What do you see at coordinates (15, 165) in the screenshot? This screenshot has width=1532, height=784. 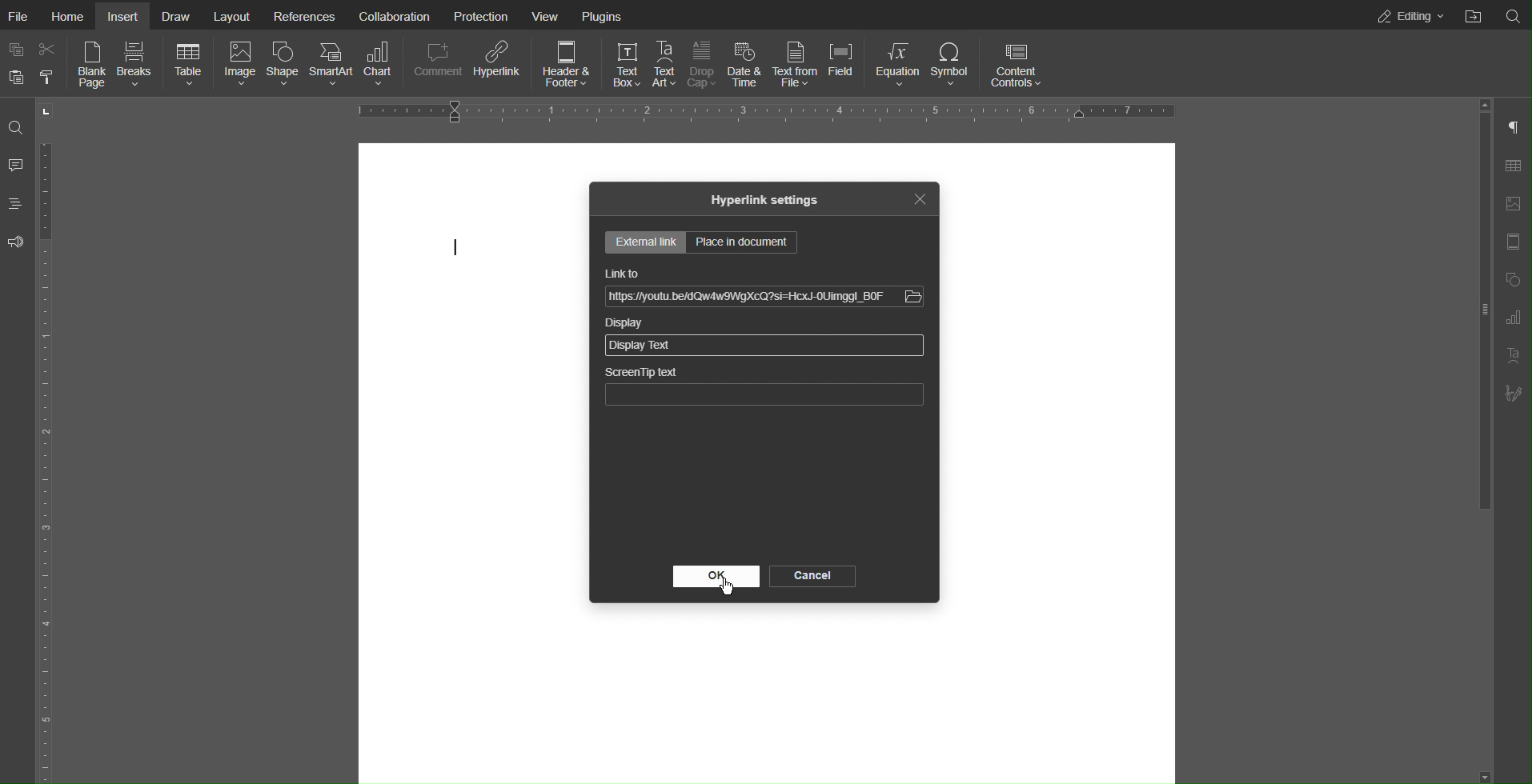 I see `Comment` at bounding box center [15, 165].